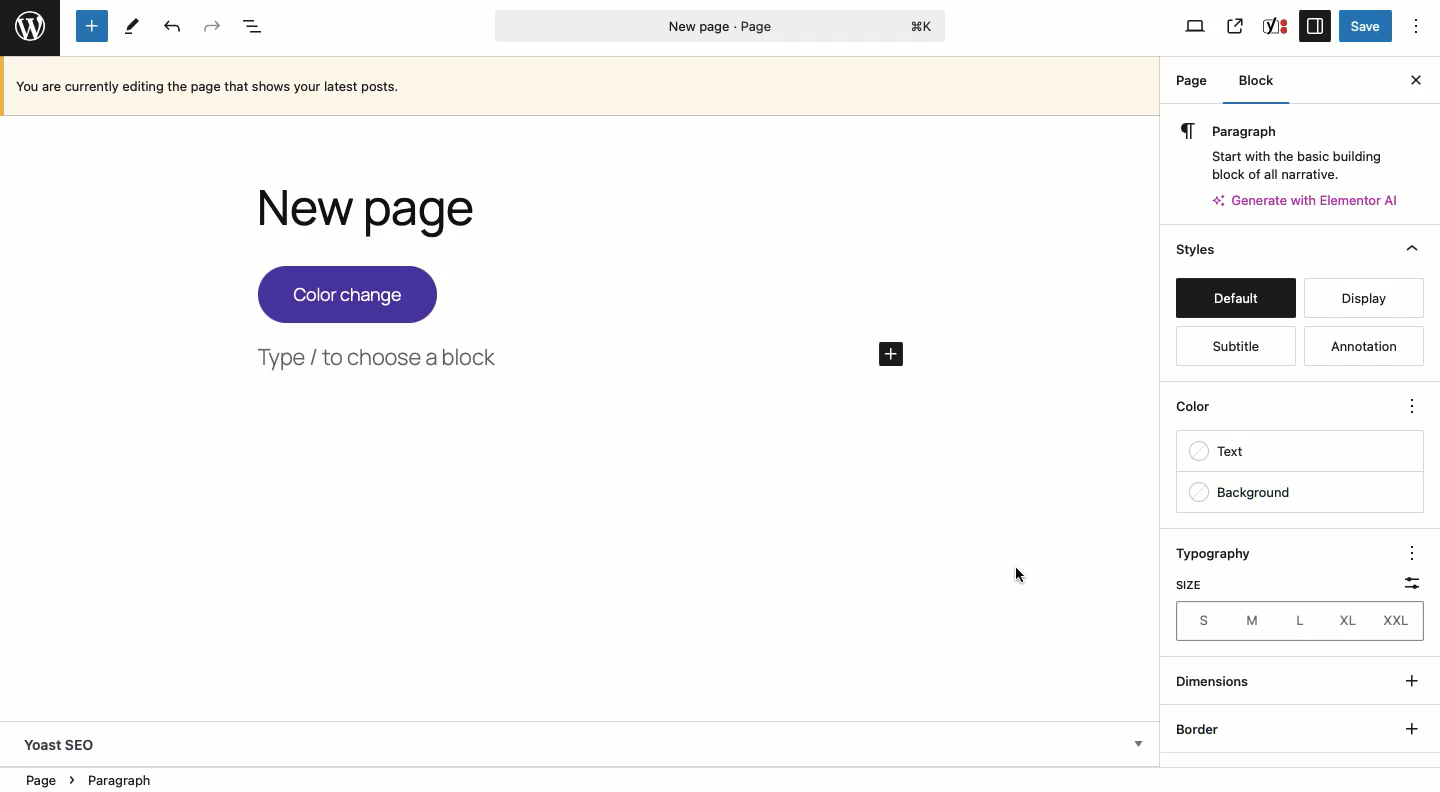  Describe the element at coordinates (1018, 573) in the screenshot. I see `curosr` at that location.